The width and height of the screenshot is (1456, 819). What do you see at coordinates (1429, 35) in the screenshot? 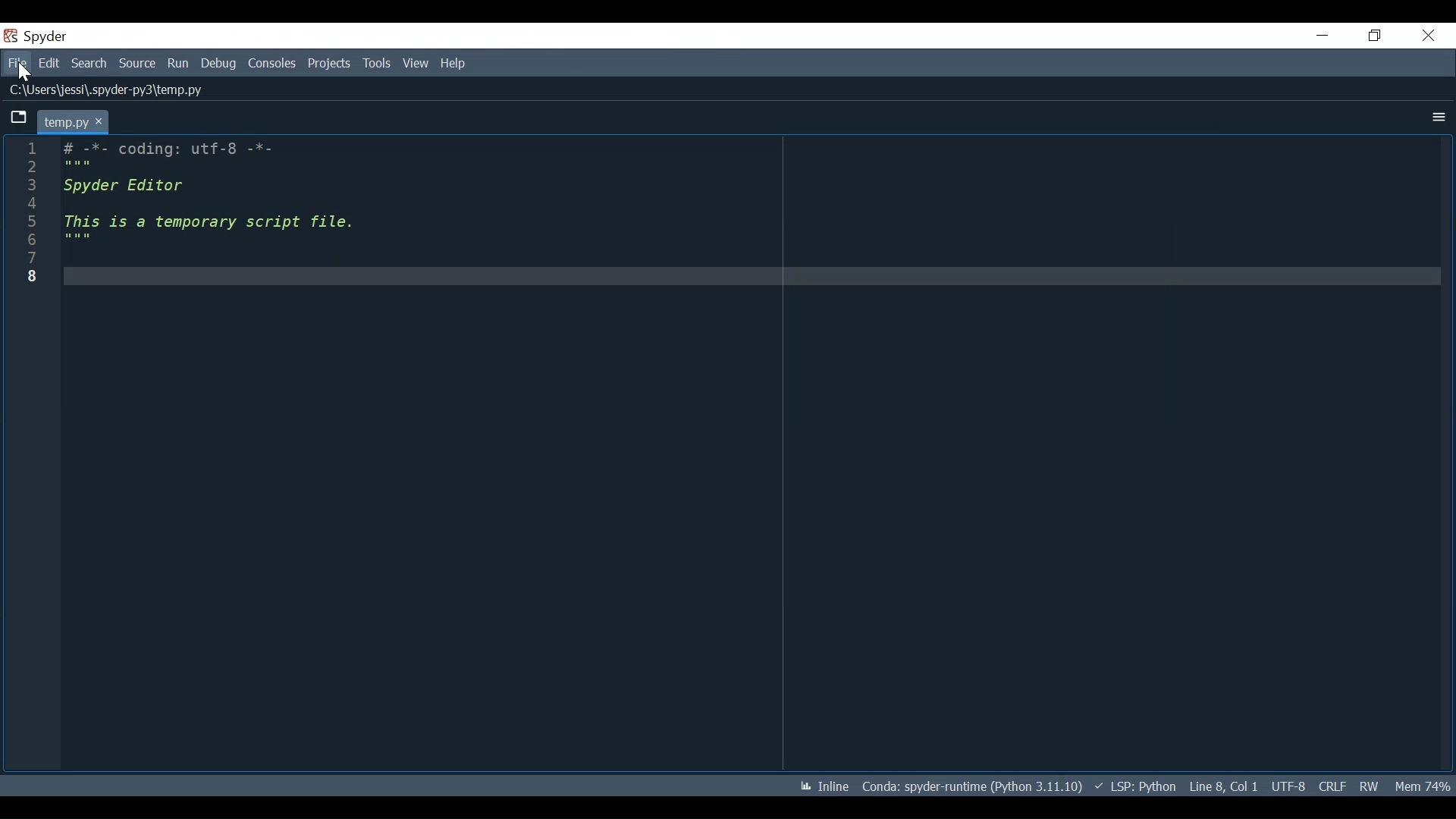
I see `Close` at bounding box center [1429, 35].